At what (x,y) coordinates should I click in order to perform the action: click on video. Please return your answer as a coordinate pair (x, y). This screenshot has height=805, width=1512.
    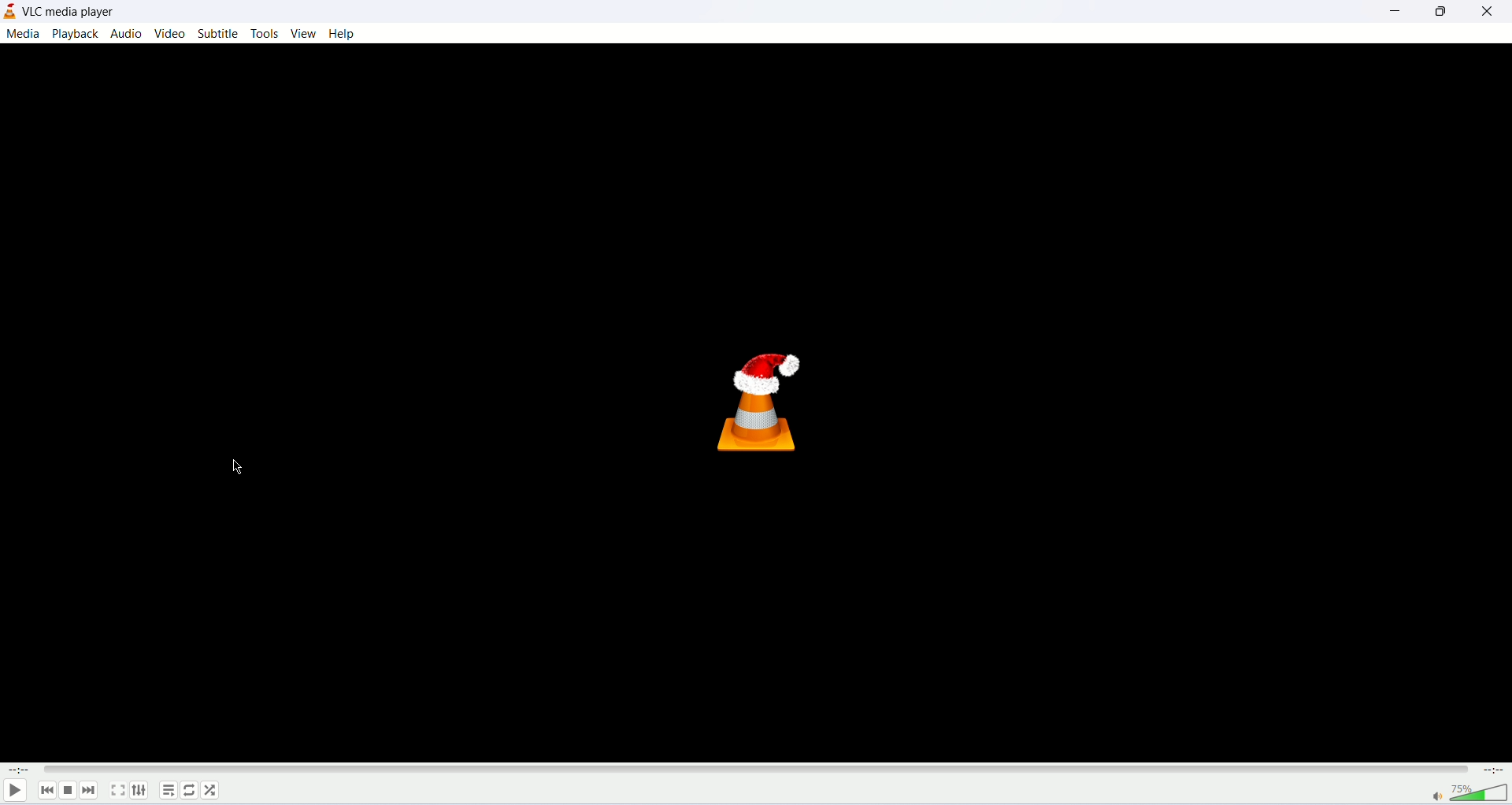
    Looking at the image, I should click on (169, 34).